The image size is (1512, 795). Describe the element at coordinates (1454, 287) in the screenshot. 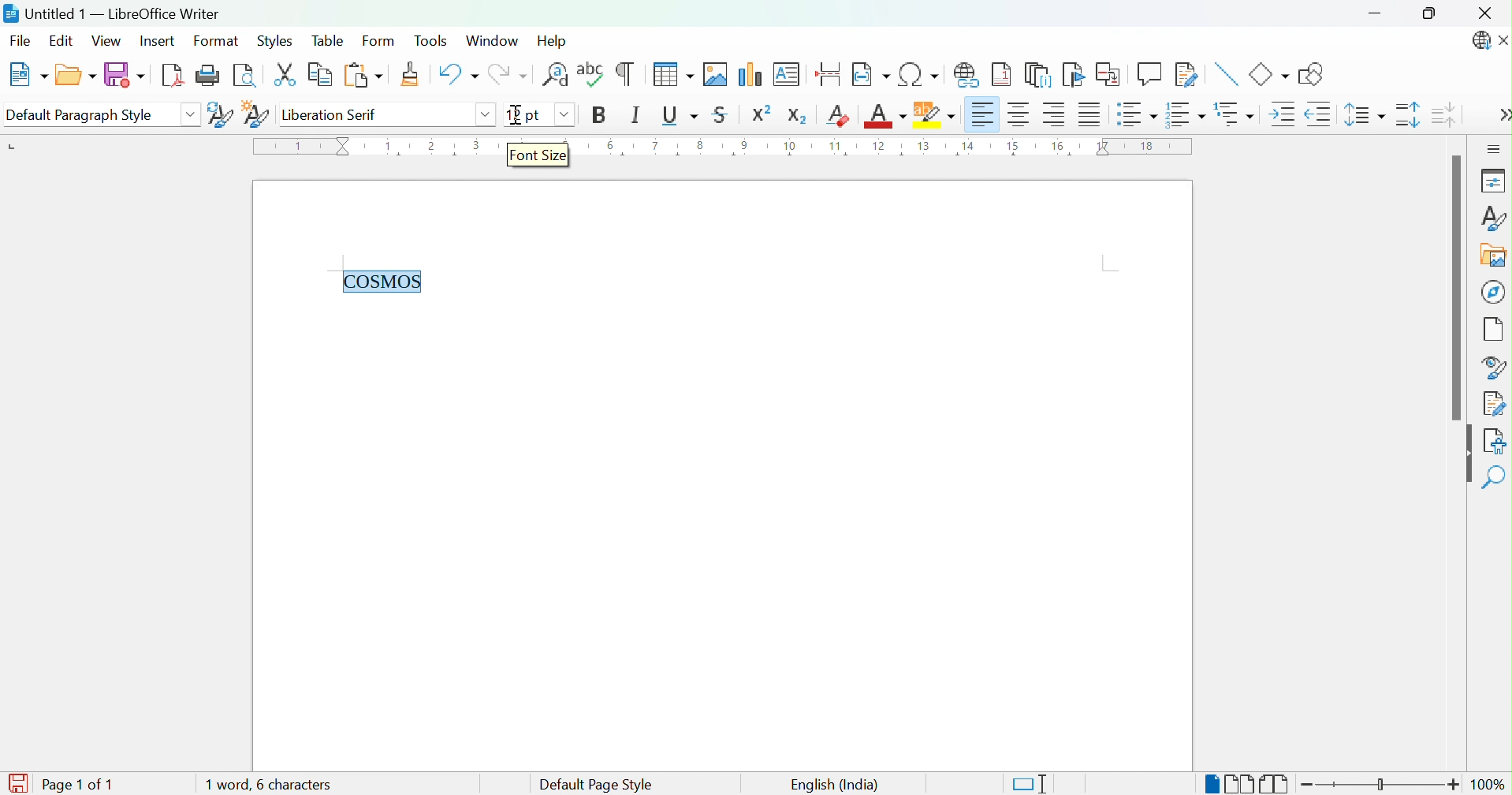

I see `Scroll Bar` at that location.